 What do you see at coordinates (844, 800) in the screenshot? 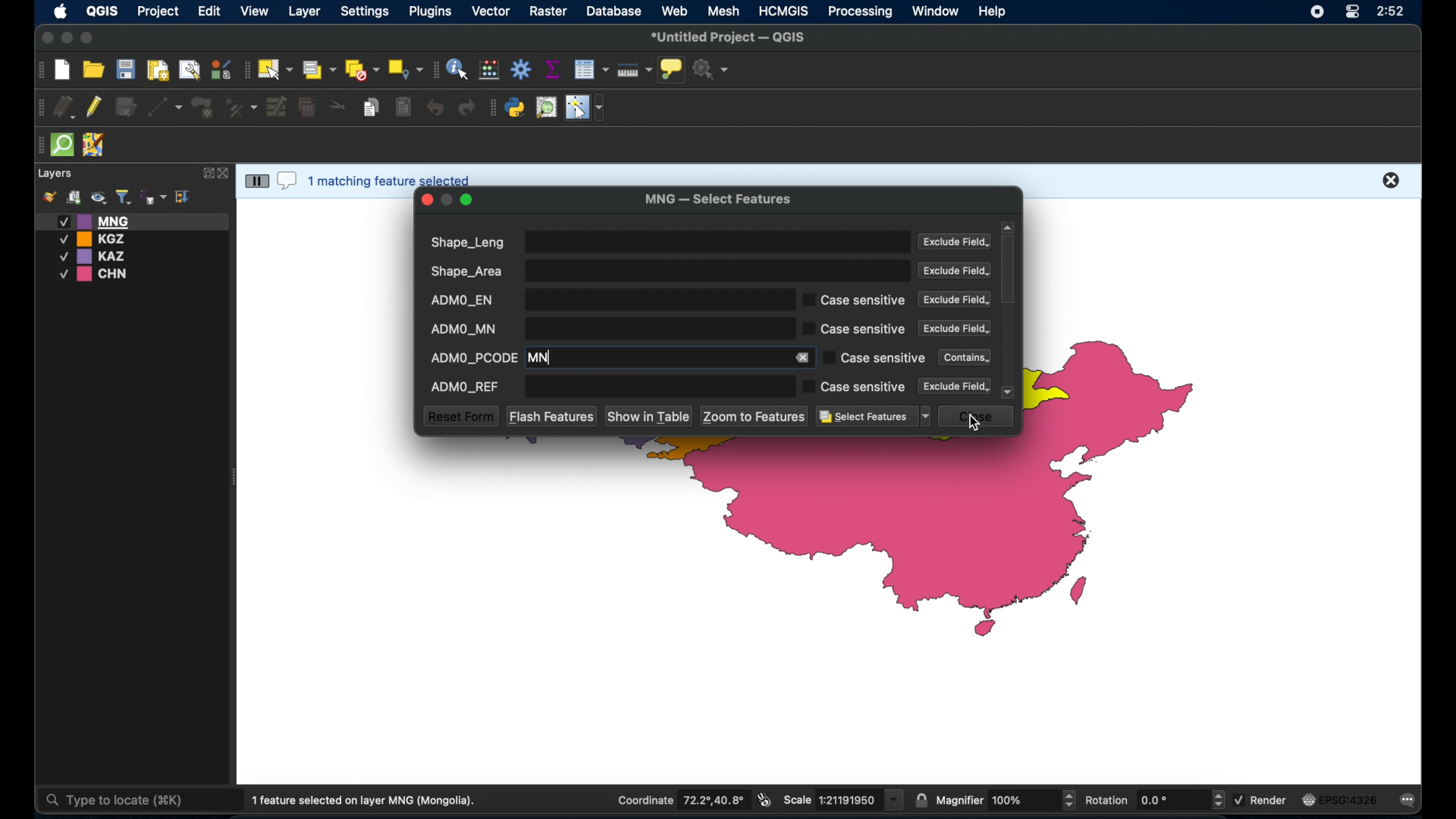
I see `scale 1:21191950` at bounding box center [844, 800].